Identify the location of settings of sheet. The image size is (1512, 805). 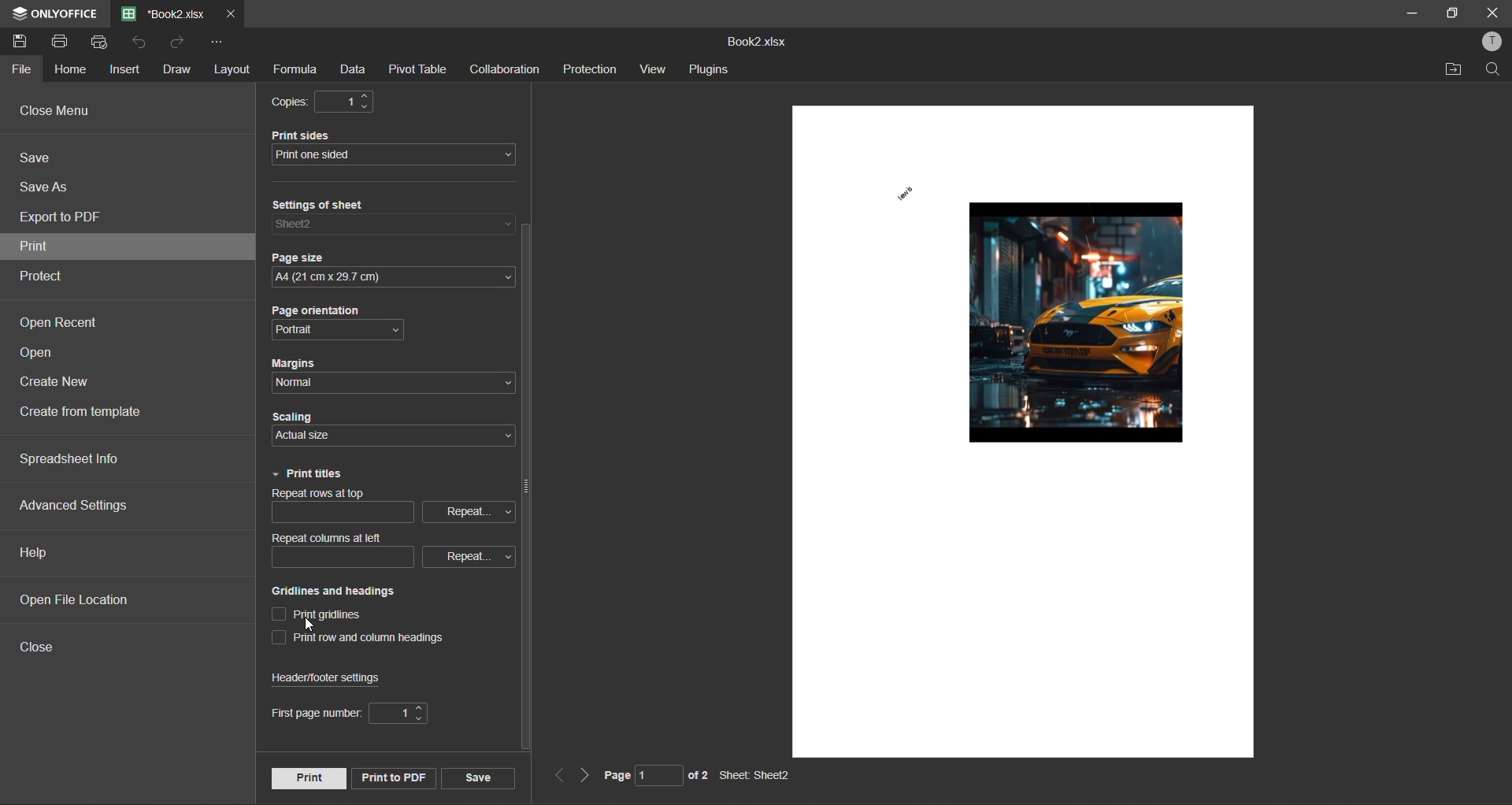
(358, 205).